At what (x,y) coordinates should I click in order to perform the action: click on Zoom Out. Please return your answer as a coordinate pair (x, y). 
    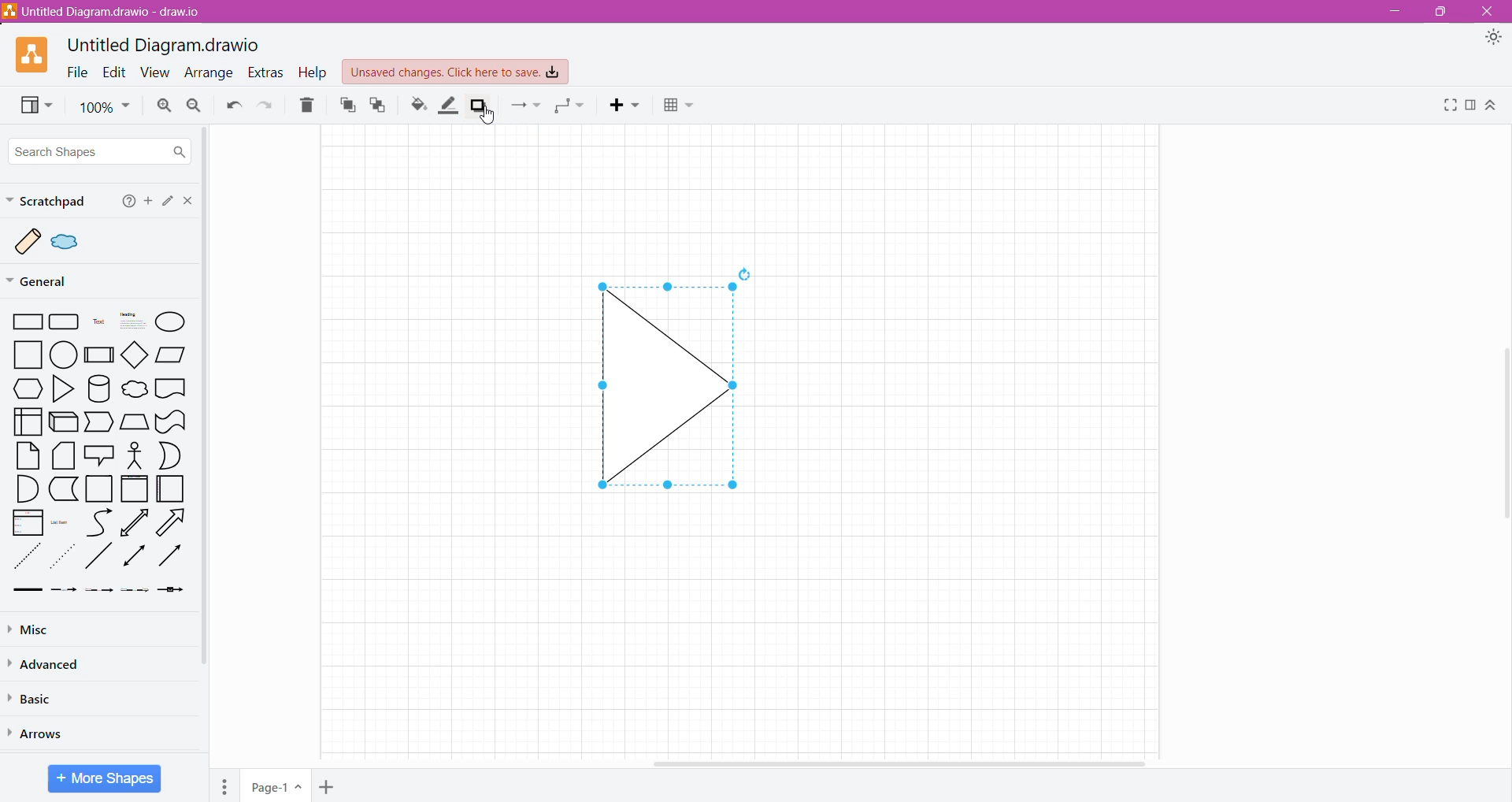
    Looking at the image, I should click on (194, 104).